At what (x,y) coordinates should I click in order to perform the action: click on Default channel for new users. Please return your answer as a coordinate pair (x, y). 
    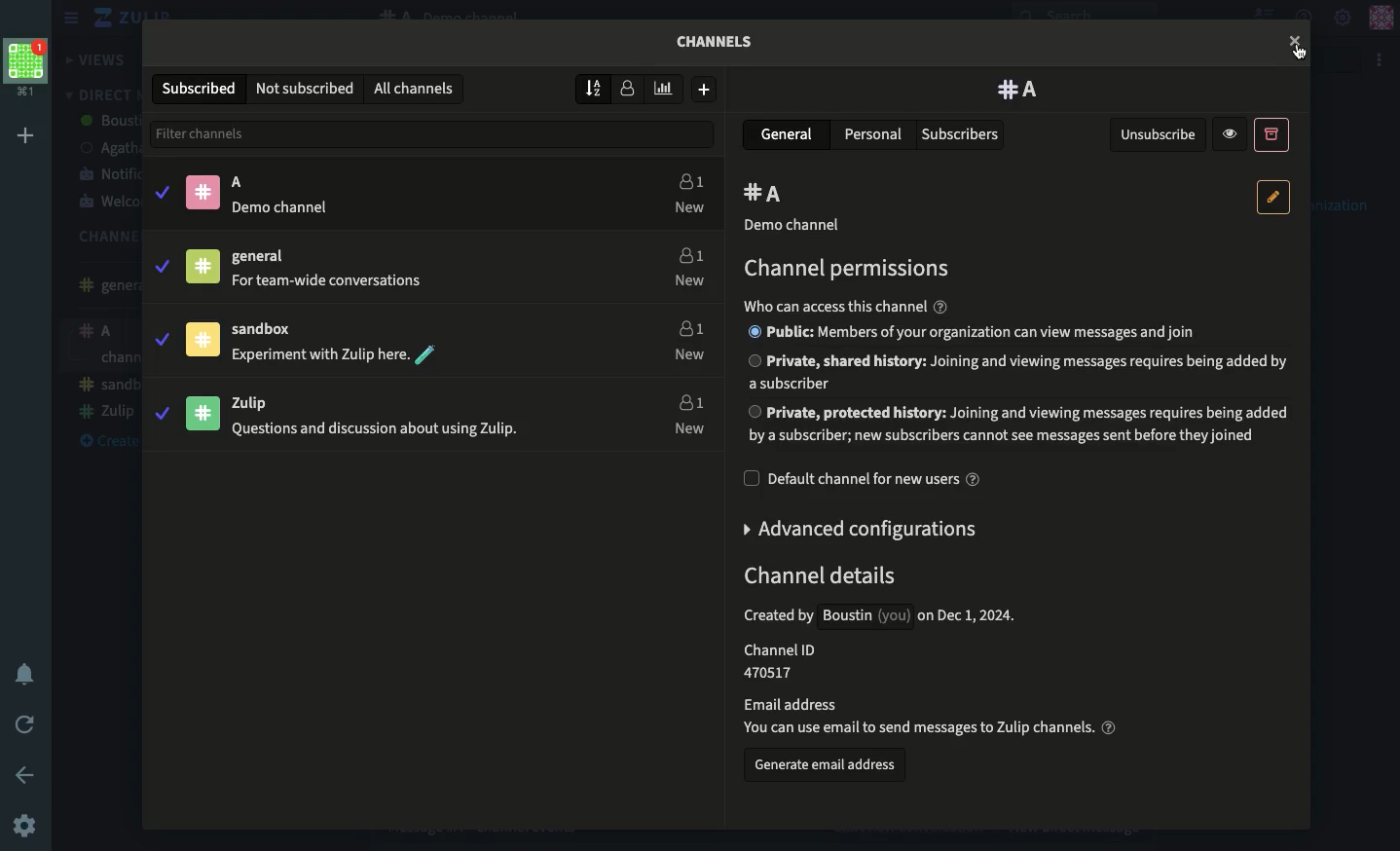
    Looking at the image, I should click on (863, 479).